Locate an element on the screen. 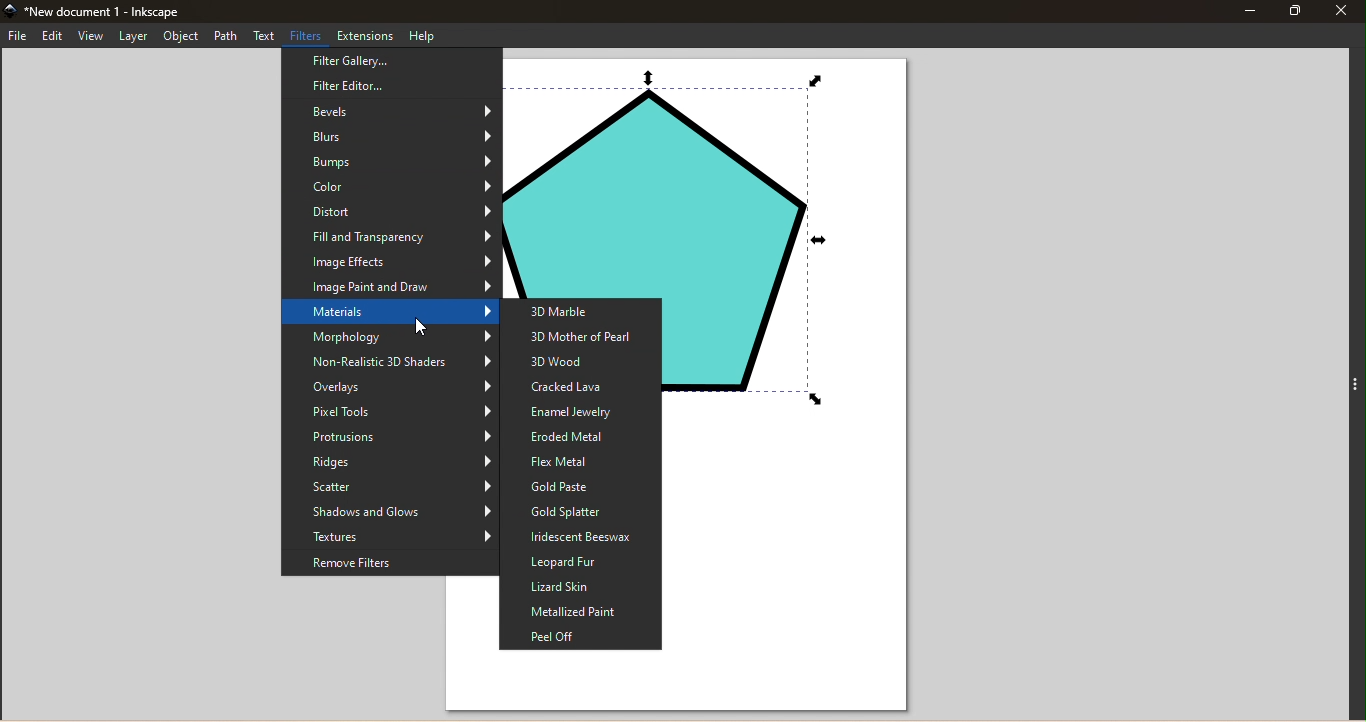 The image size is (1366, 722). Cracked Lava is located at coordinates (581, 387).